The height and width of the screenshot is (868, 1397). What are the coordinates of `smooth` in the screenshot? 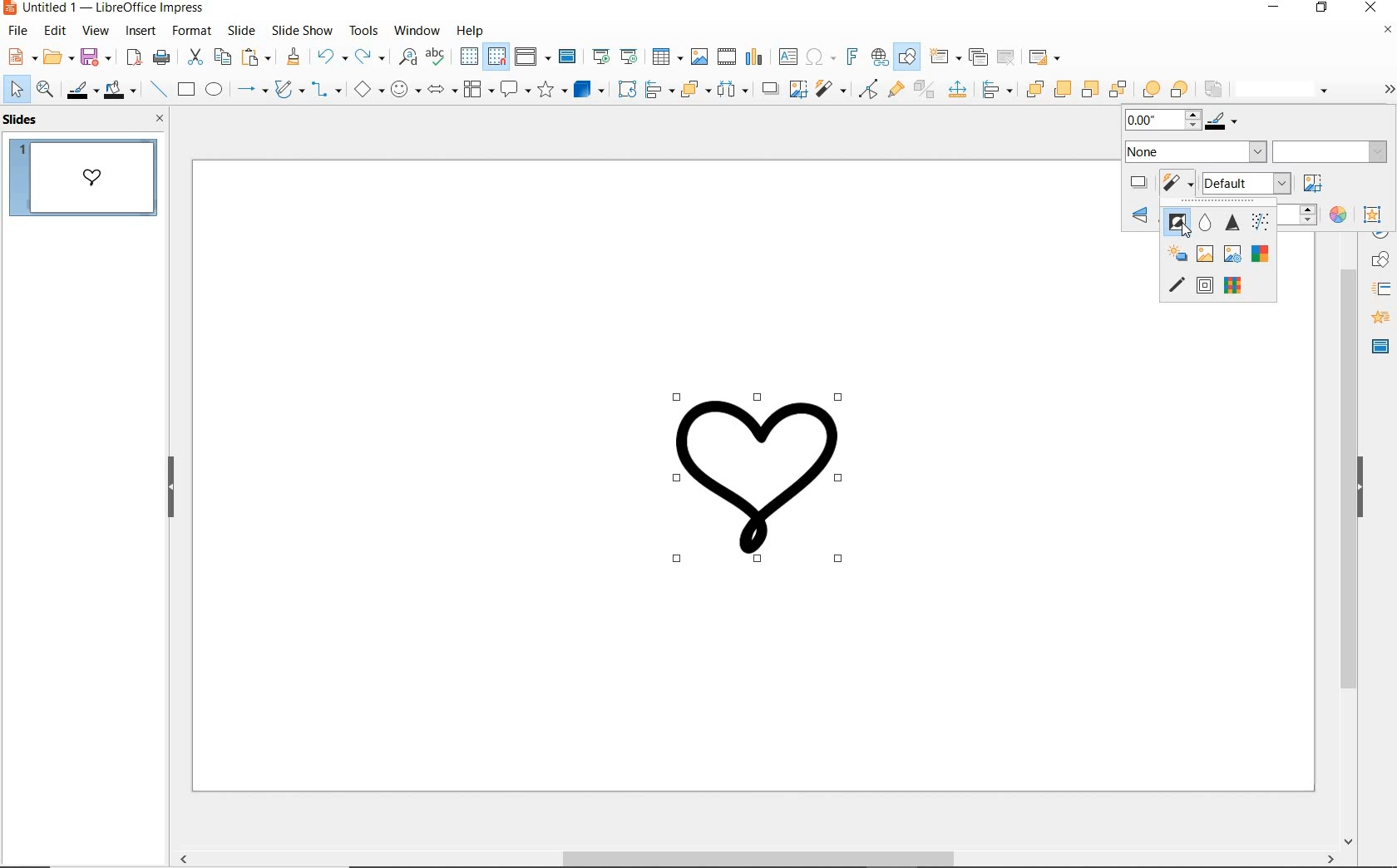 It's located at (1205, 222).